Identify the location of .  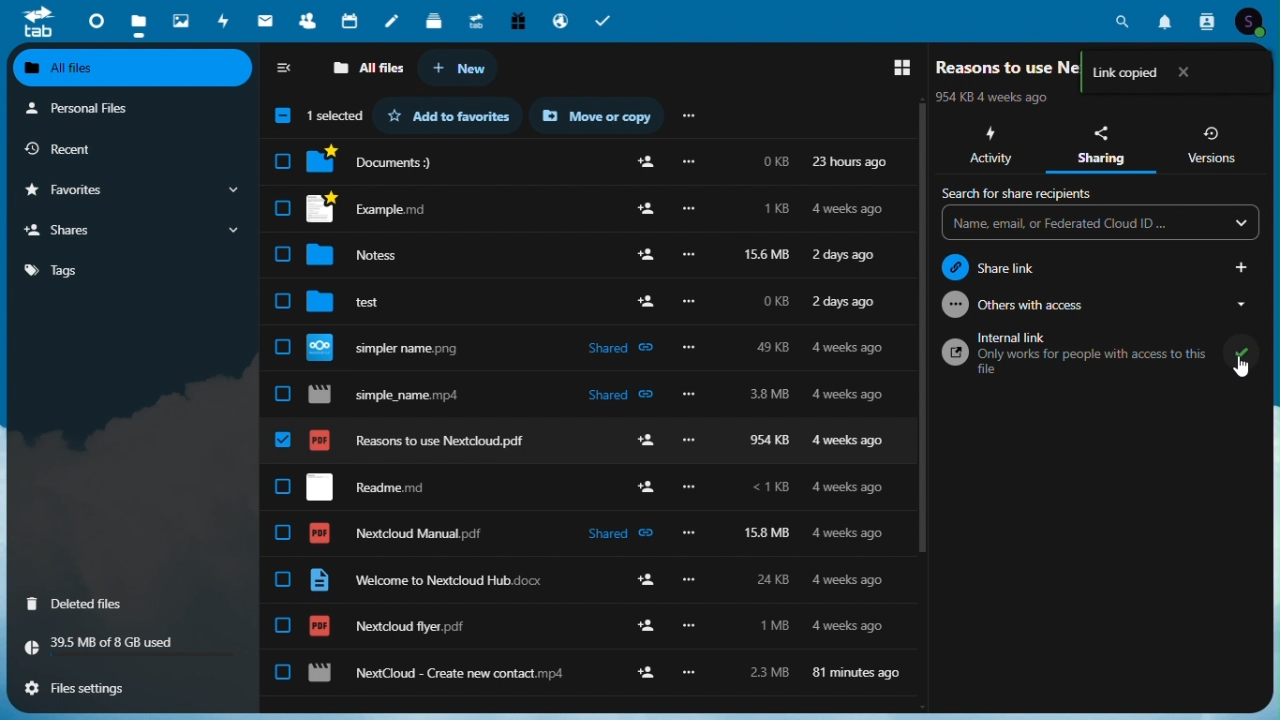
(684, 348).